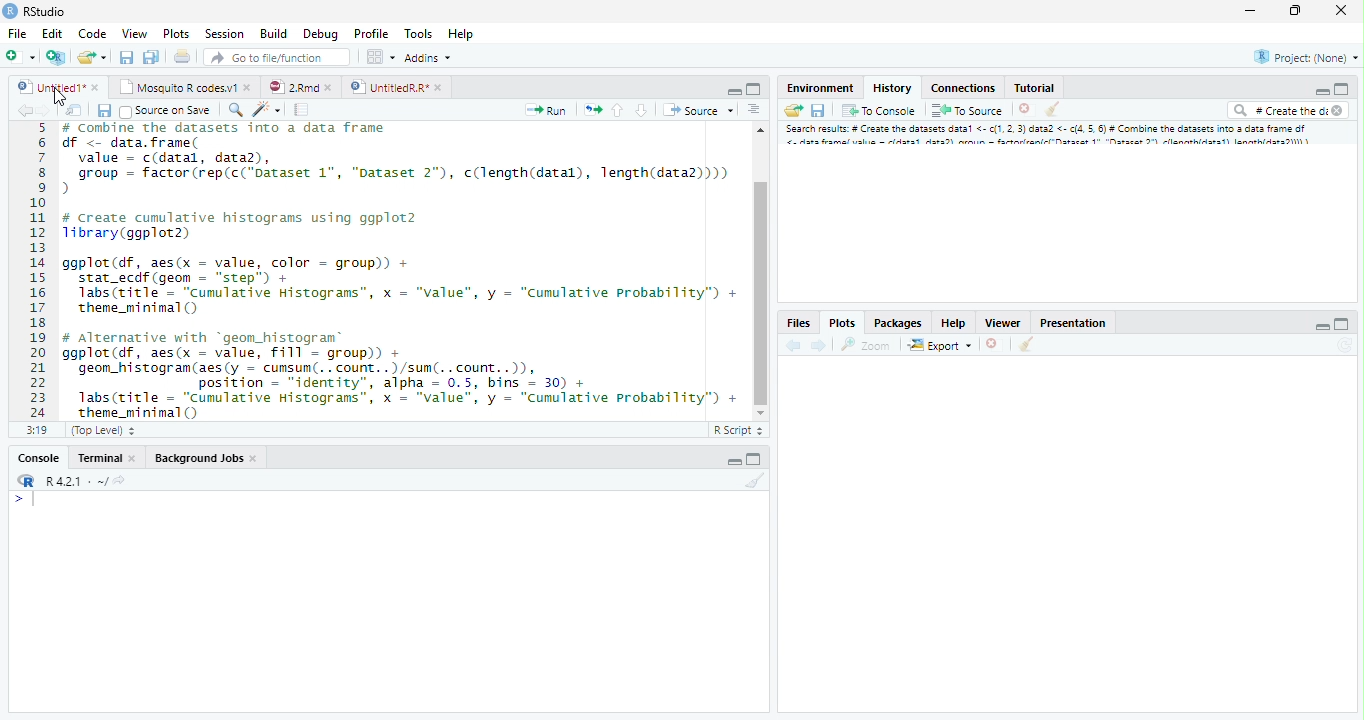 This screenshot has height=720, width=1364. I want to click on Untitled, so click(61, 85).